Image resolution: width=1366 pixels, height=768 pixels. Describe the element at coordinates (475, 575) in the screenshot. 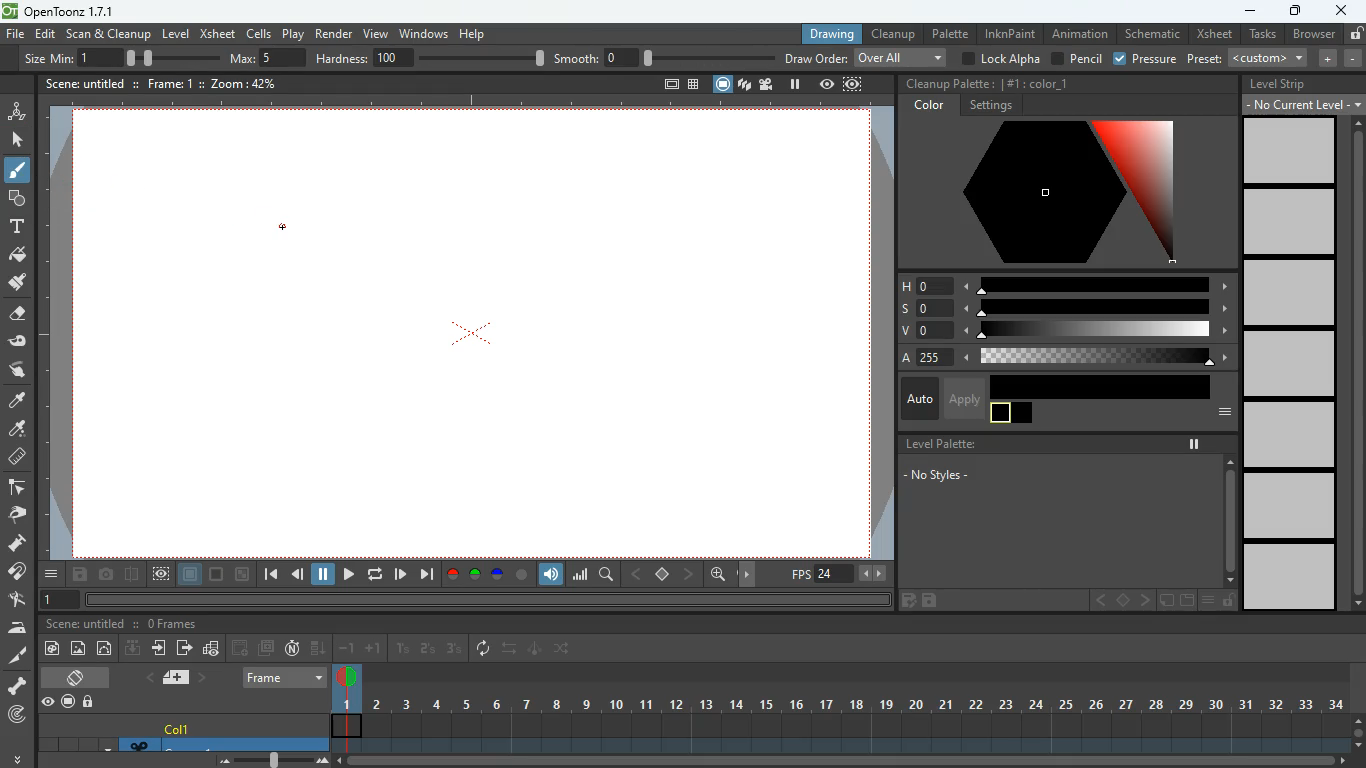

I see `green` at that location.